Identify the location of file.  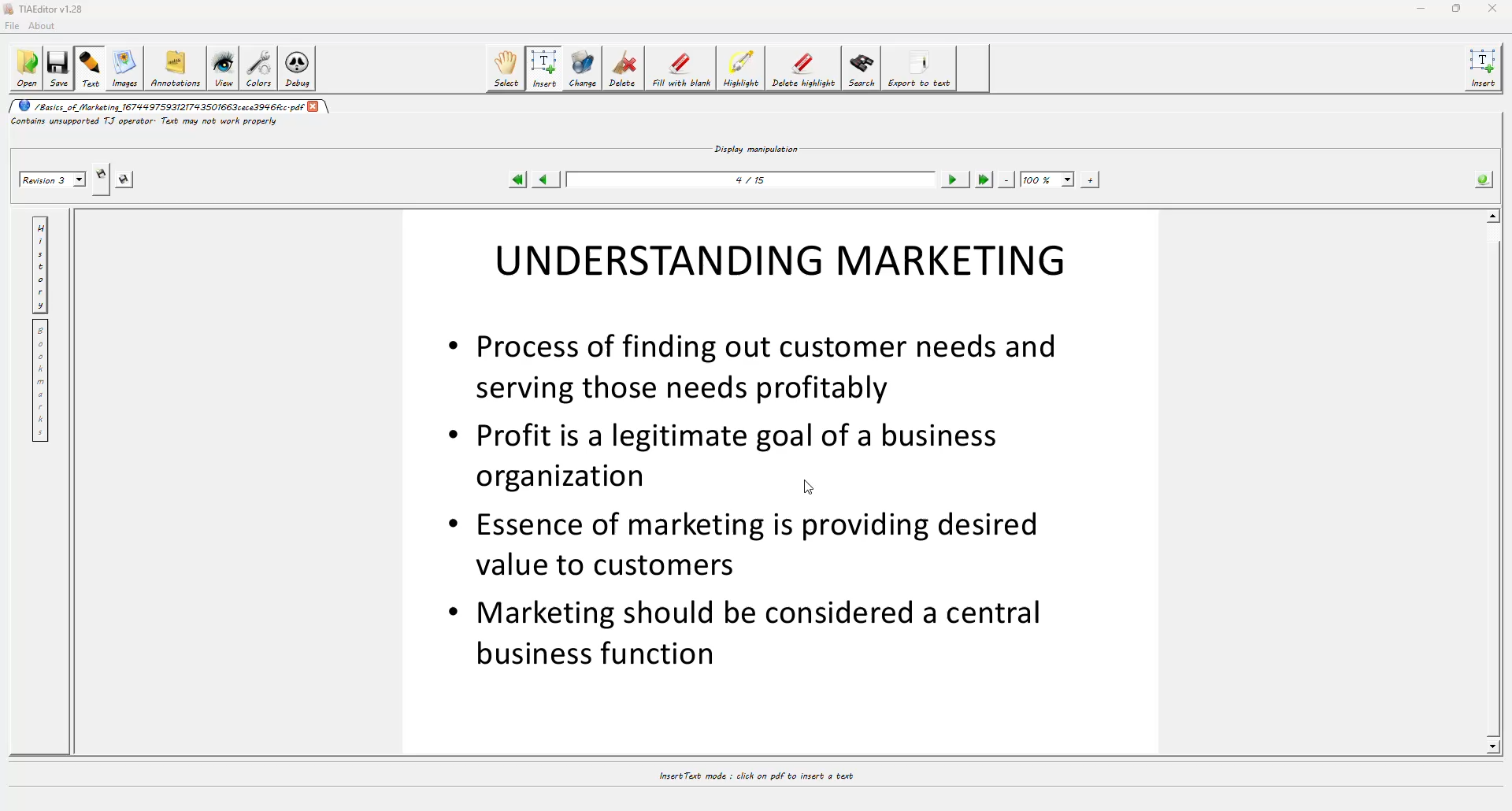
(15, 25).